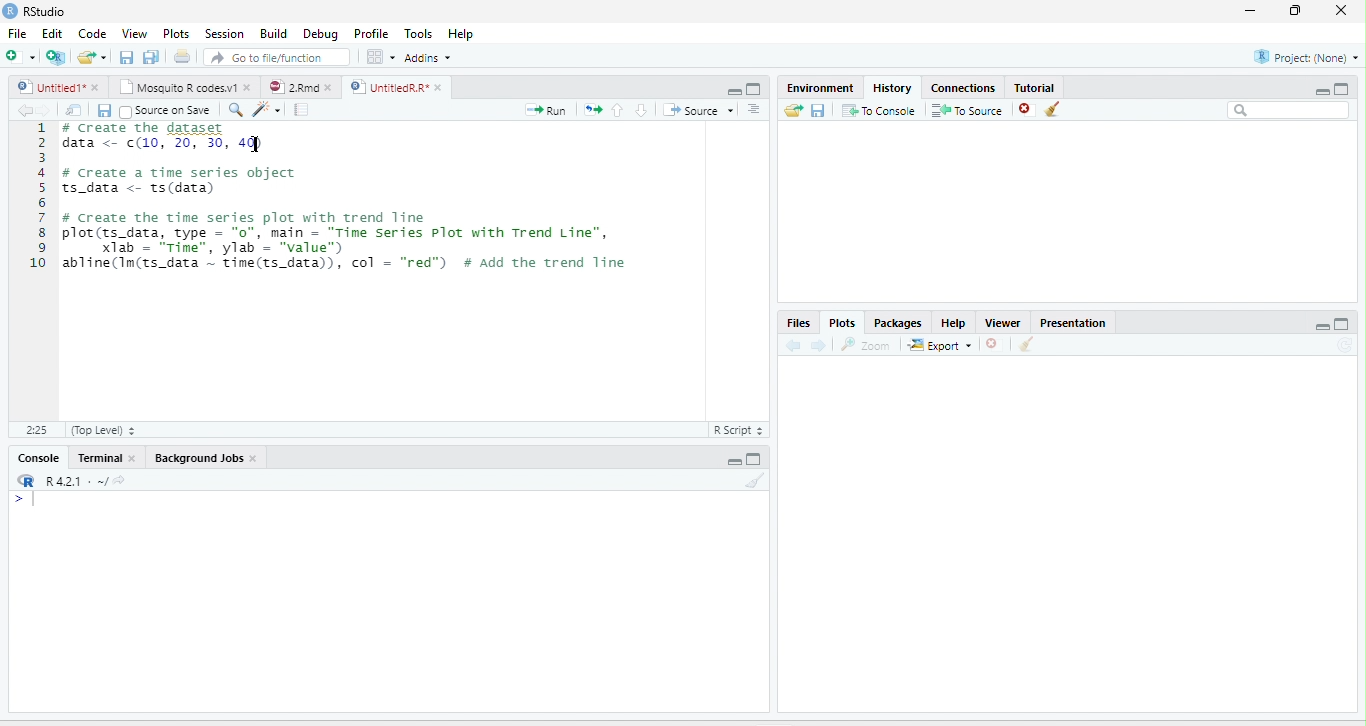 The image size is (1366, 726). I want to click on R, so click(27, 480).